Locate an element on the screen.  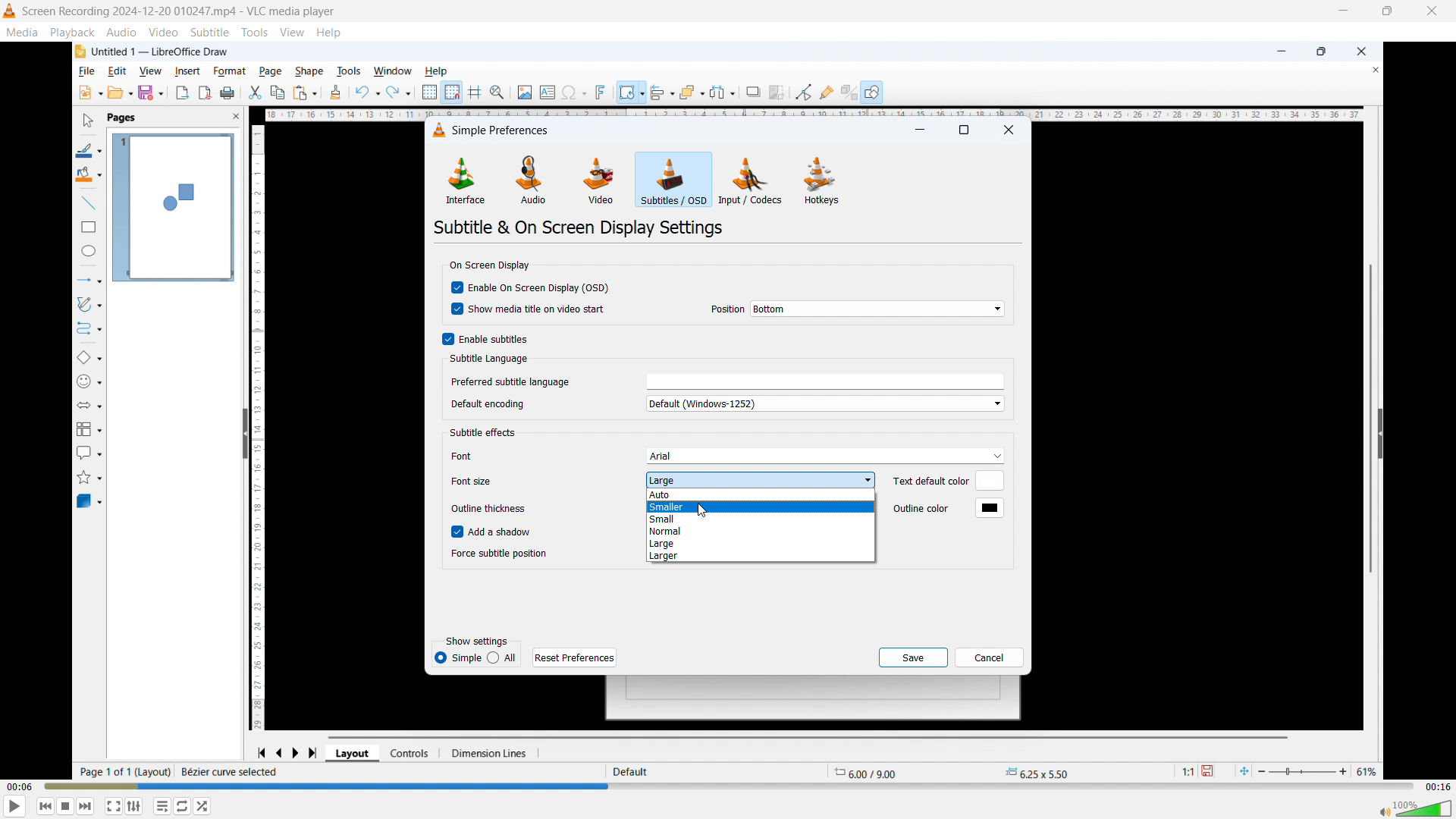
close  is located at coordinates (1432, 11).